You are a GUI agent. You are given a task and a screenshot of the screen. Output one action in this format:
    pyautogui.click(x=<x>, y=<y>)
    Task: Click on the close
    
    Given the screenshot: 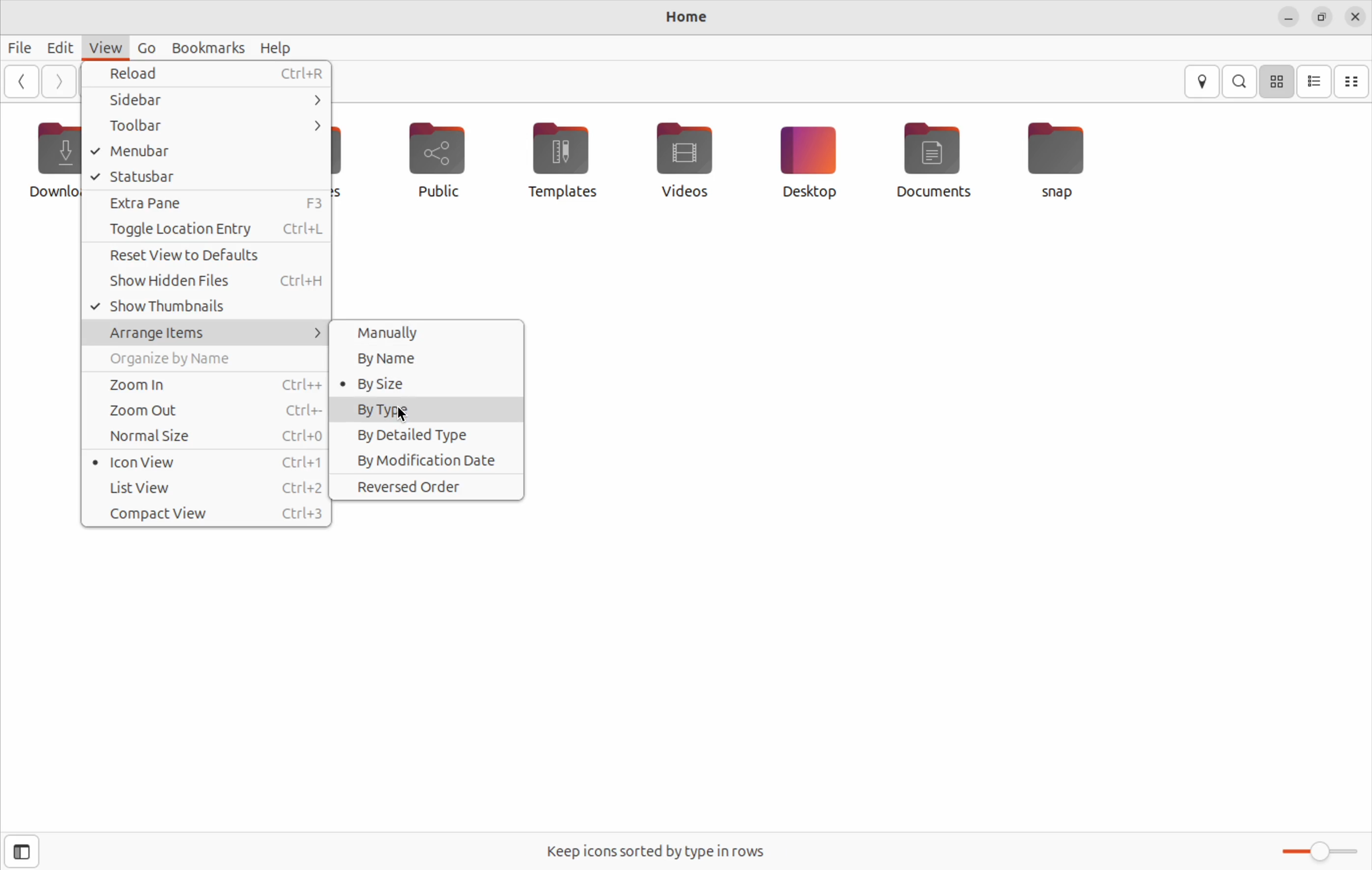 What is the action you would take?
    pyautogui.click(x=1353, y=17)
    